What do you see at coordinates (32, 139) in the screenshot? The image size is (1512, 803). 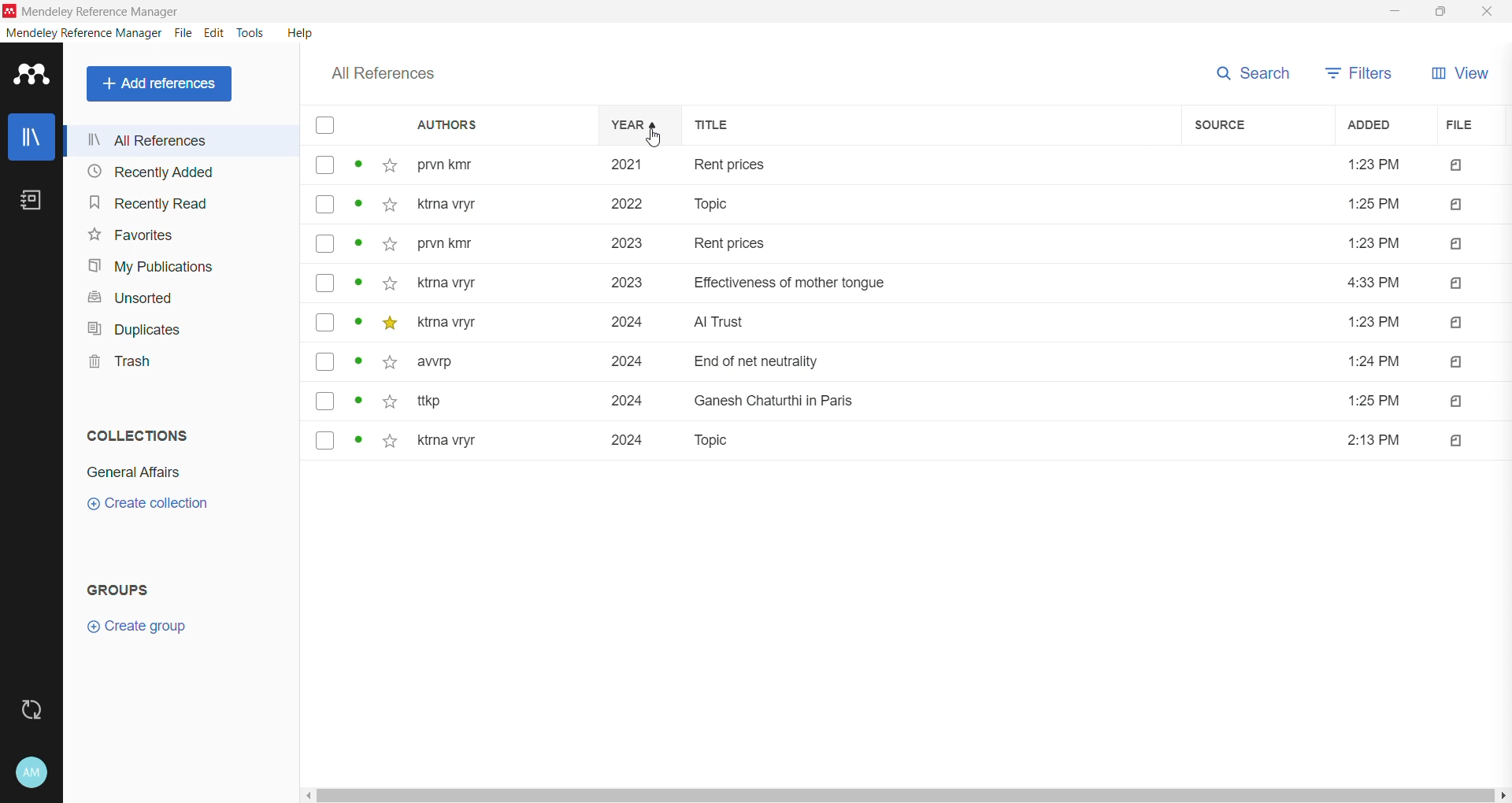 I see `Library` at bounding box center [32, 139].